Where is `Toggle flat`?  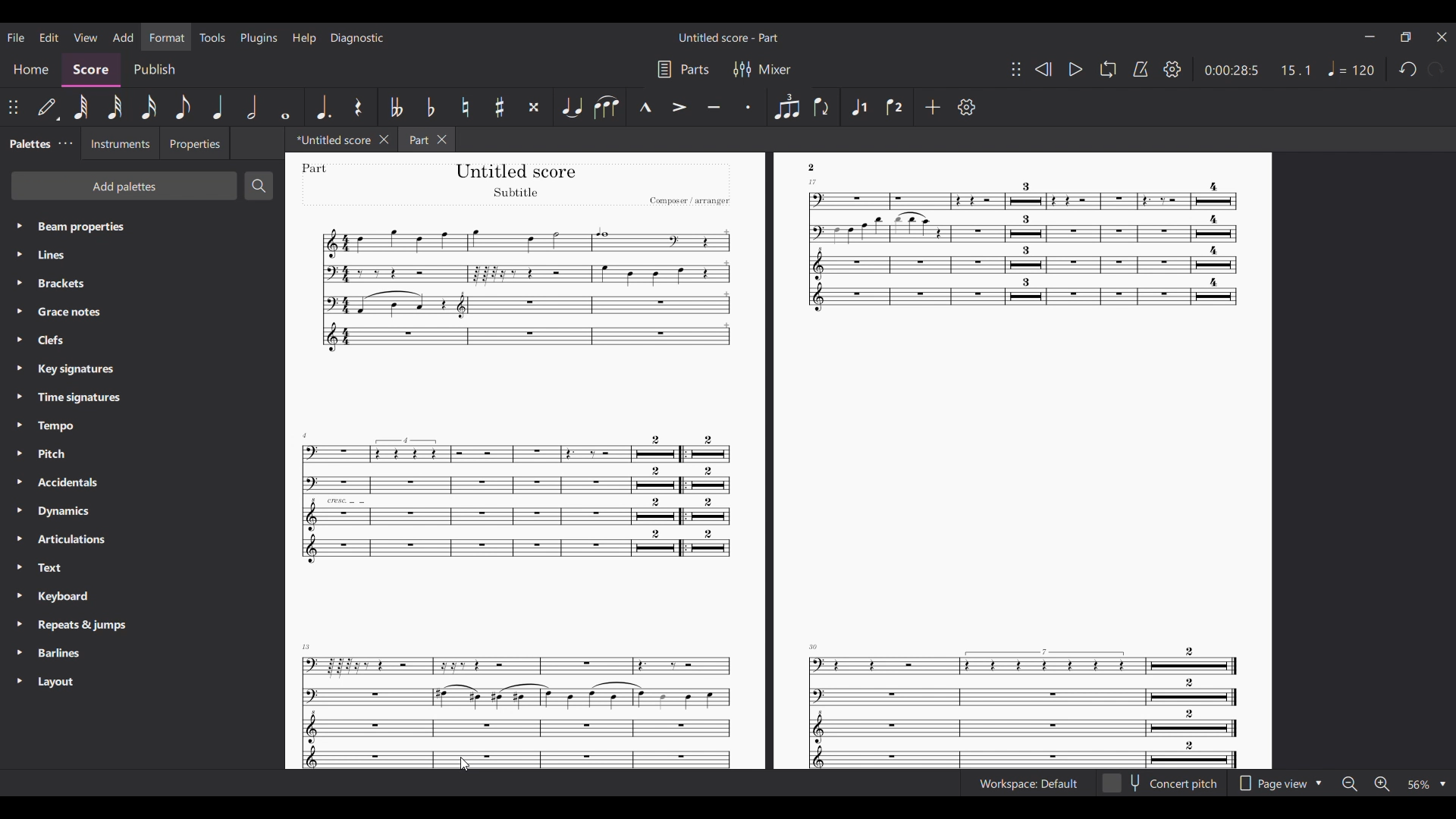
Toggle flat is located at coordinates (431, 108).